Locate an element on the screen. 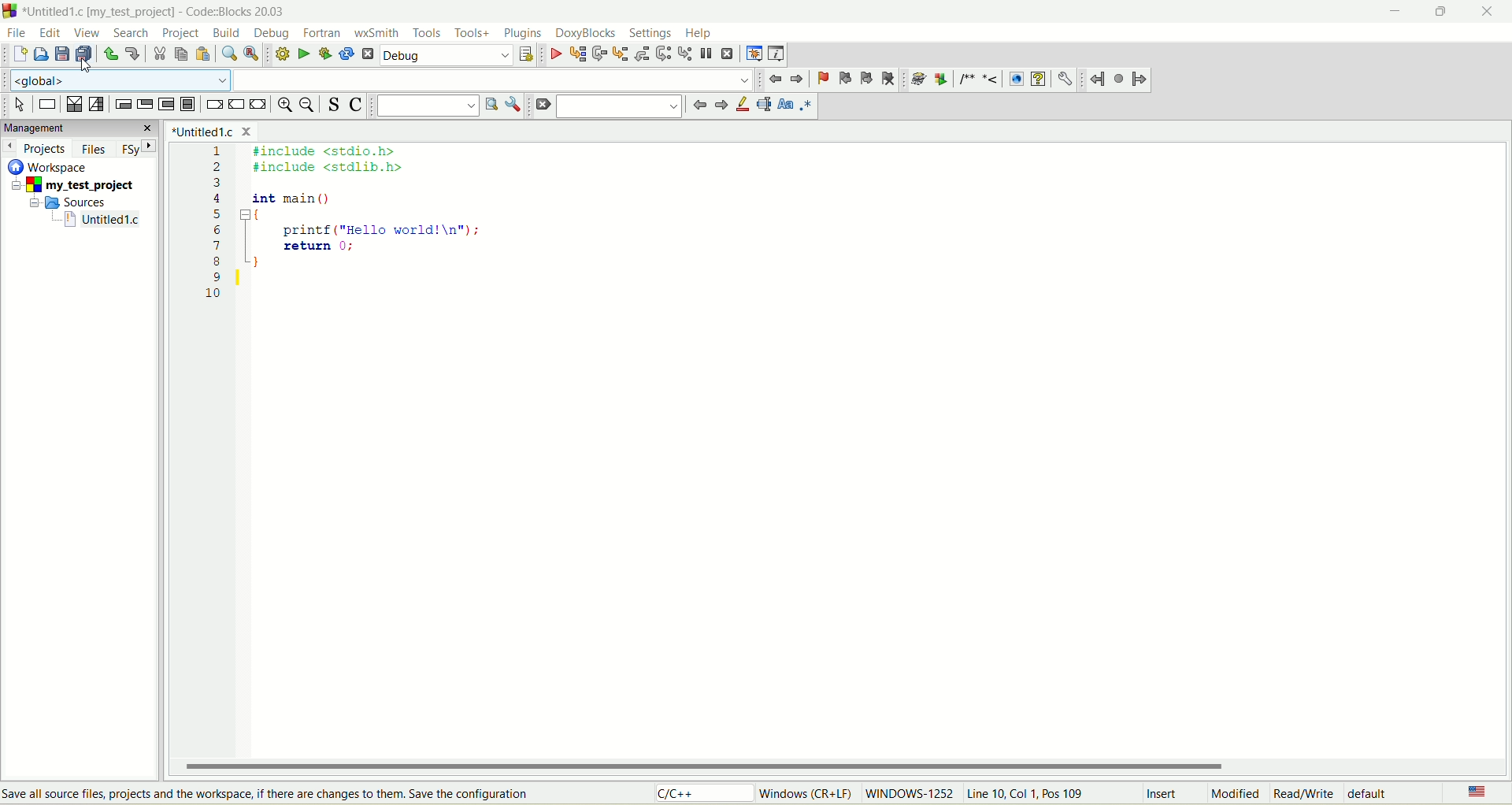  highlight is located at coordinates (739, 107).